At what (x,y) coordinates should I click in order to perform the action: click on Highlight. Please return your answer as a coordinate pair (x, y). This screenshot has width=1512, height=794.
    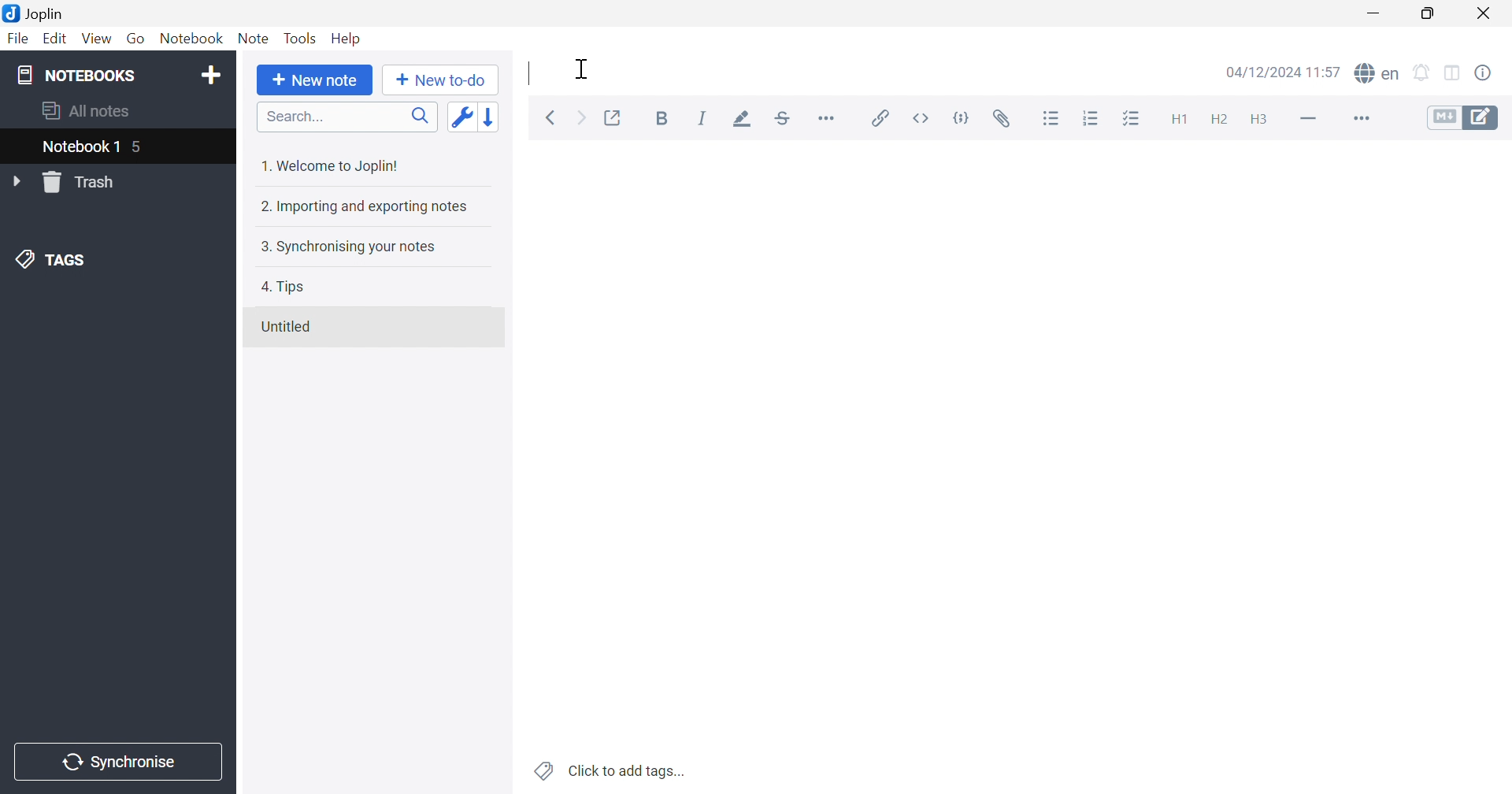
    Looking at the image, I should click on (743, 121).